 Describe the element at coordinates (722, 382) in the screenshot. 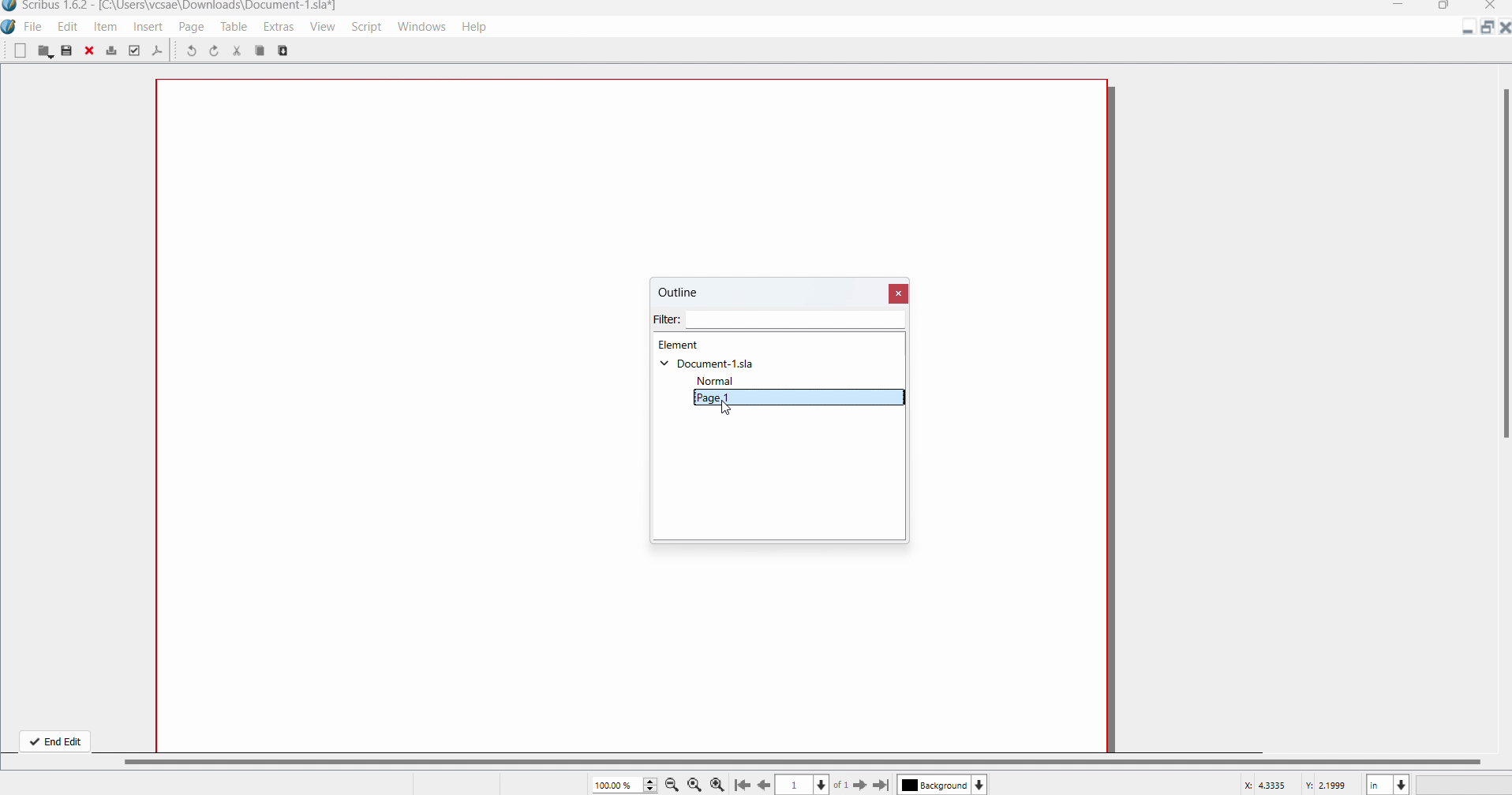

I see `normal` at that location.